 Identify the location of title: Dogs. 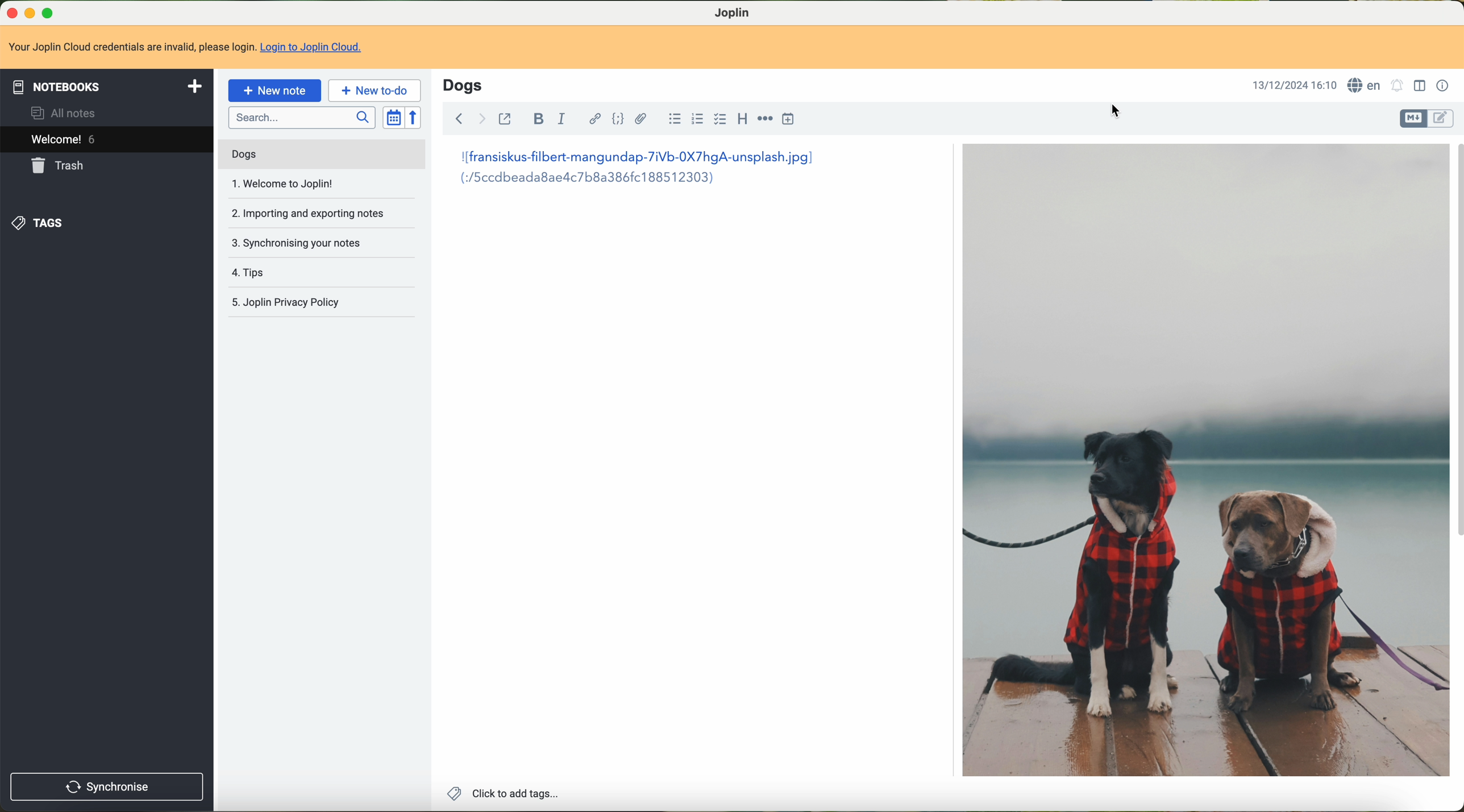
(463, 85).